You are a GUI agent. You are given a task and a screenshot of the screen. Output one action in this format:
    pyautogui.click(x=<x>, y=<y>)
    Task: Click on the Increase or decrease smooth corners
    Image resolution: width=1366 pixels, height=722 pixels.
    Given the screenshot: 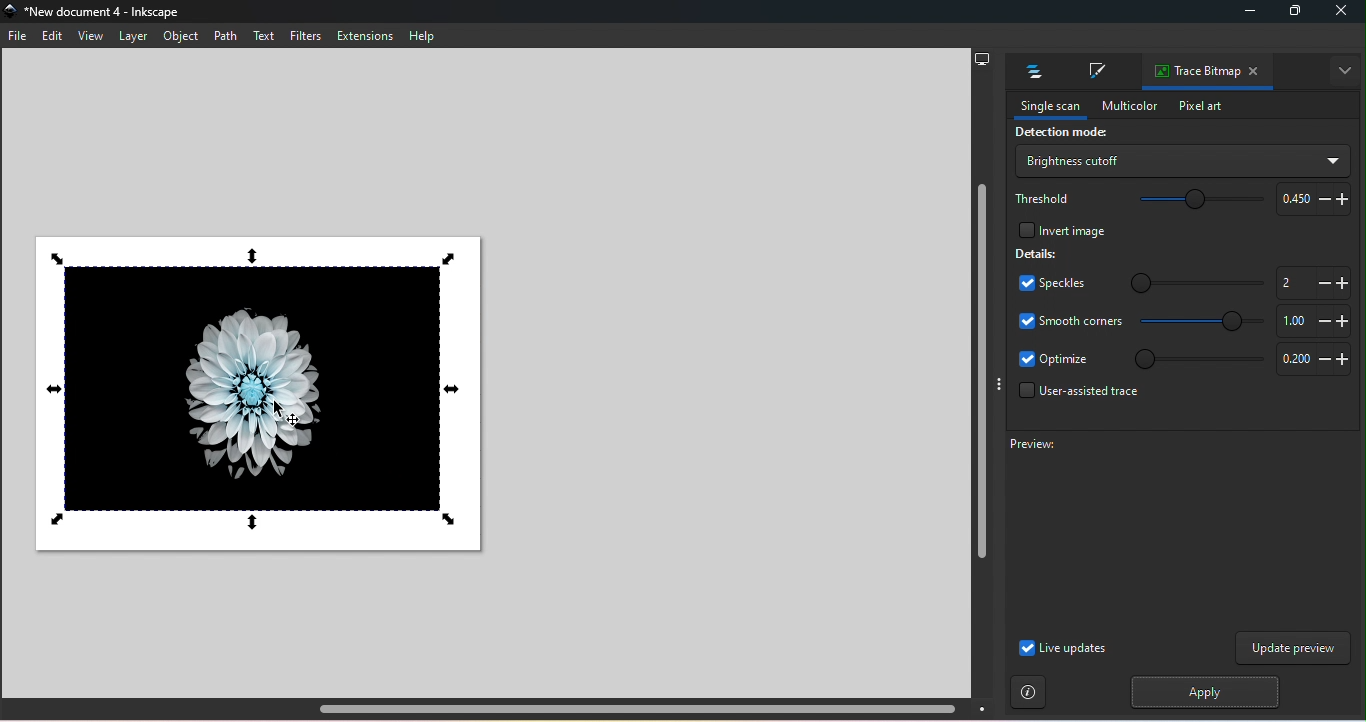 What is the action you would take?
    pyautogui.click(x=1311, y=321)
    